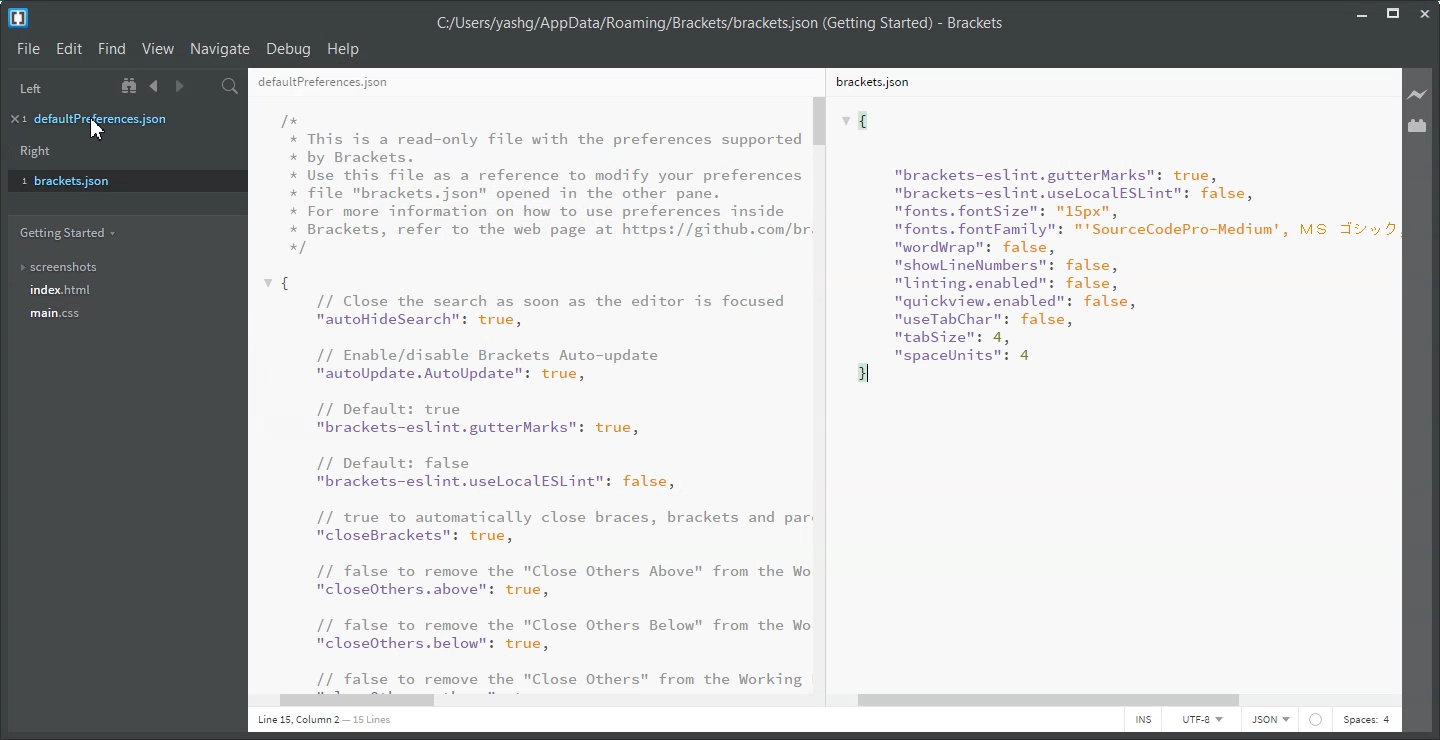  Describe the element at coordinates (1317, 720) in the screenshot. I see `circle` at that location.